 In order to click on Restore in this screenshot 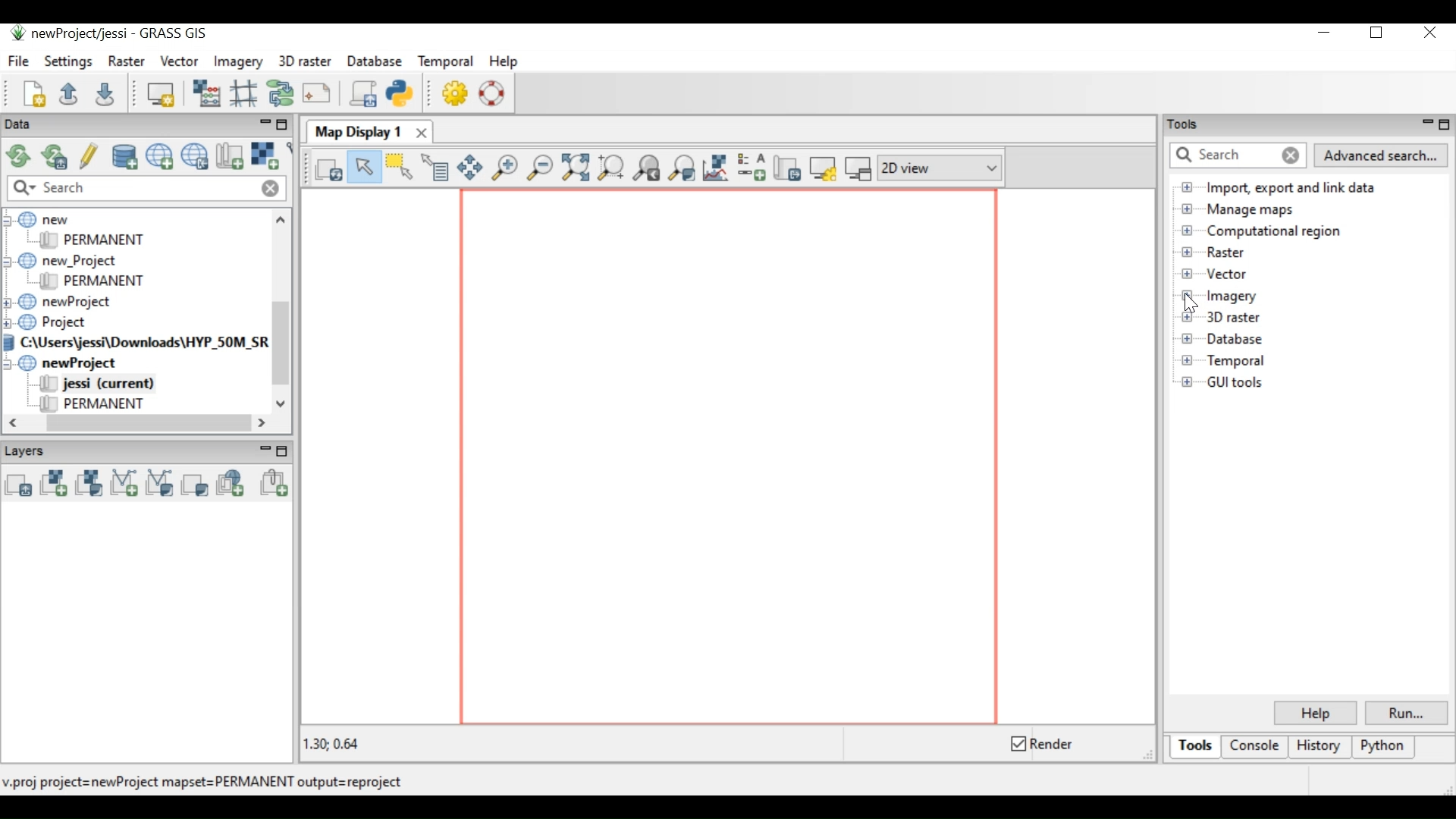, I will do `click(1378, 34)`.